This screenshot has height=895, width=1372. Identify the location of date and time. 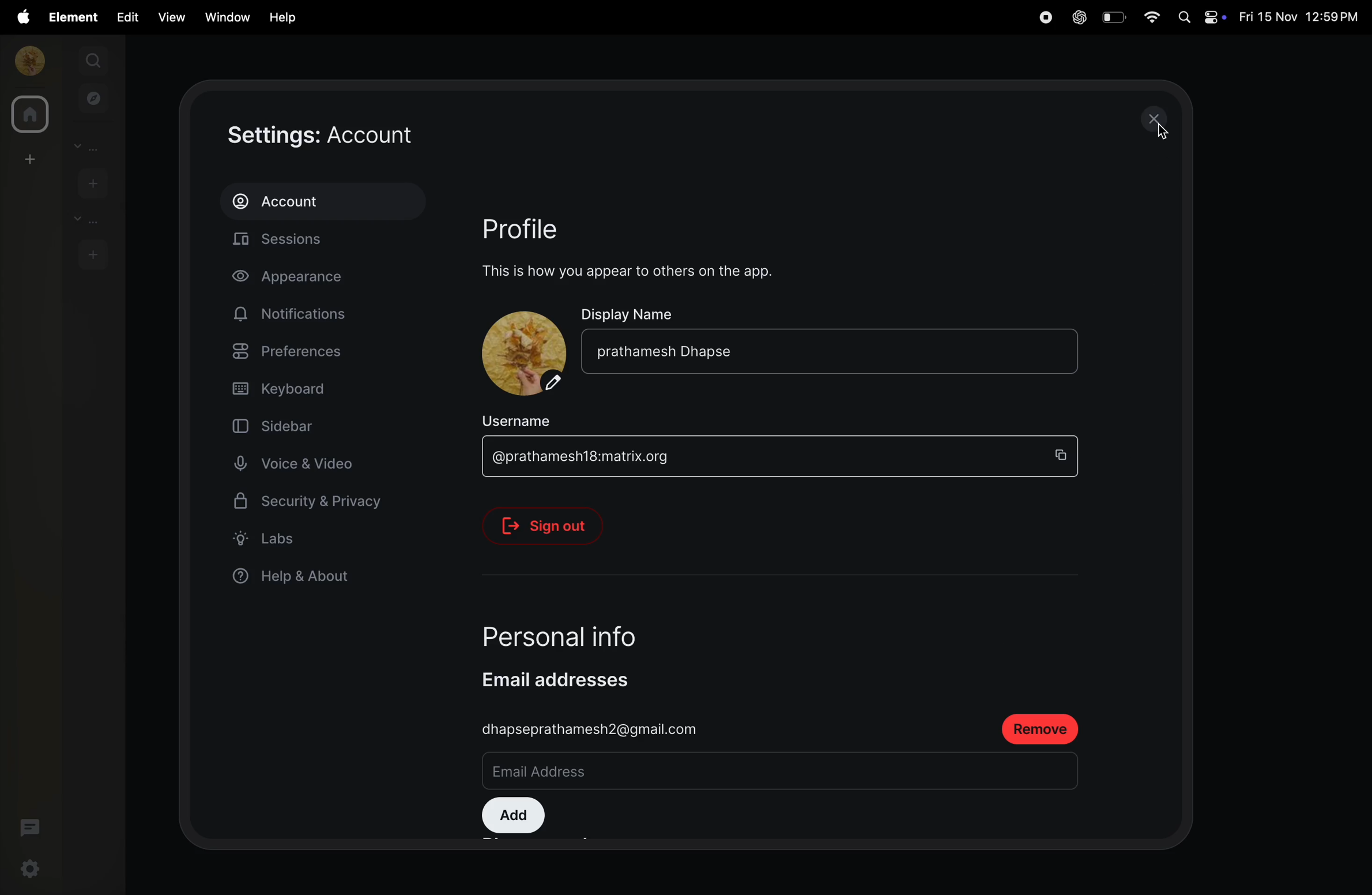
(1301, 18).